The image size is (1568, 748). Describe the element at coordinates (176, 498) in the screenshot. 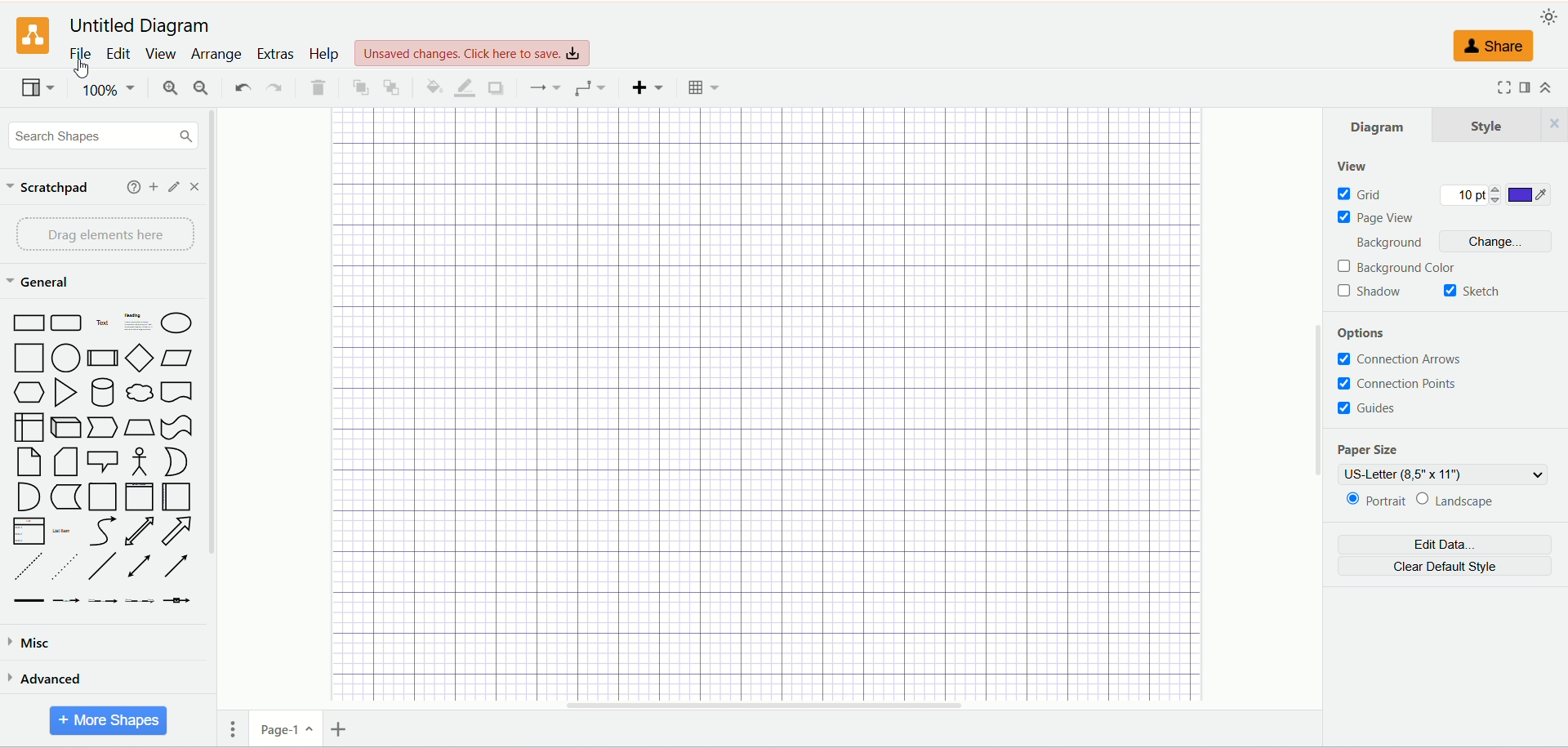

I see `Horizontal Container` at that location.